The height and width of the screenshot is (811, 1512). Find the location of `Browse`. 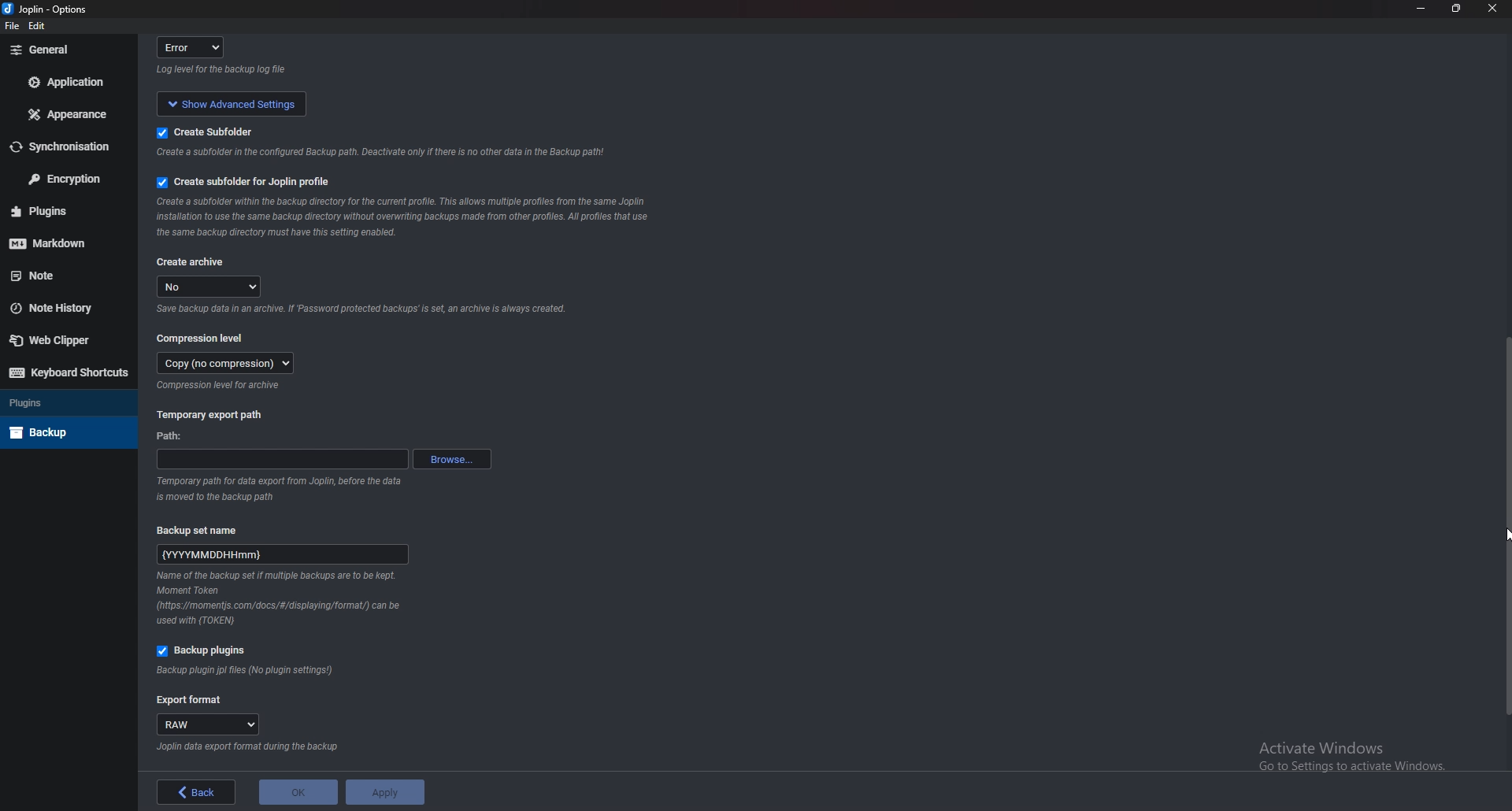

Browse is located at coordinates (452, 457).